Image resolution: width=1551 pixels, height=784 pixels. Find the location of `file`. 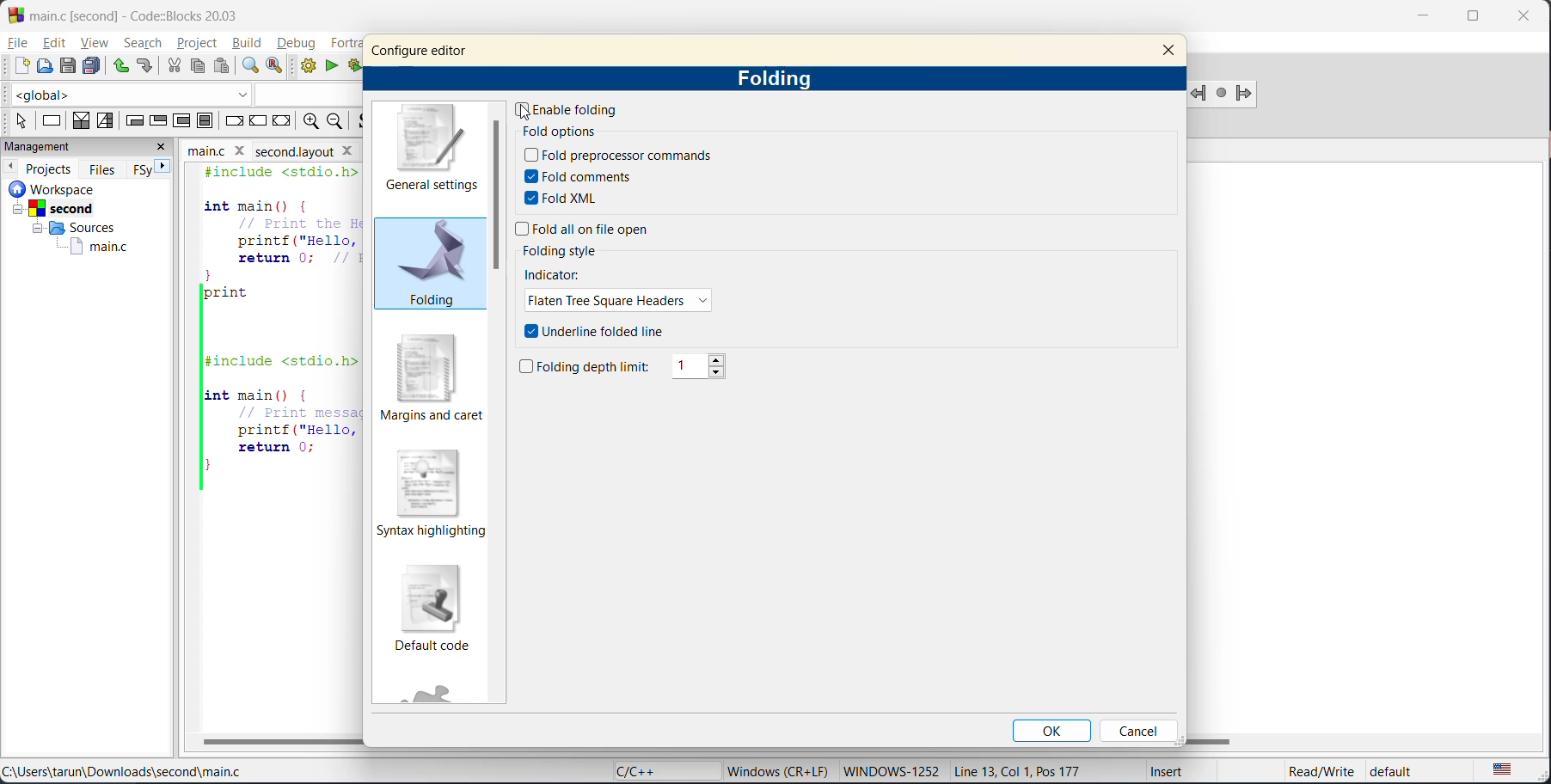

file is located at coordinates (20, 43).